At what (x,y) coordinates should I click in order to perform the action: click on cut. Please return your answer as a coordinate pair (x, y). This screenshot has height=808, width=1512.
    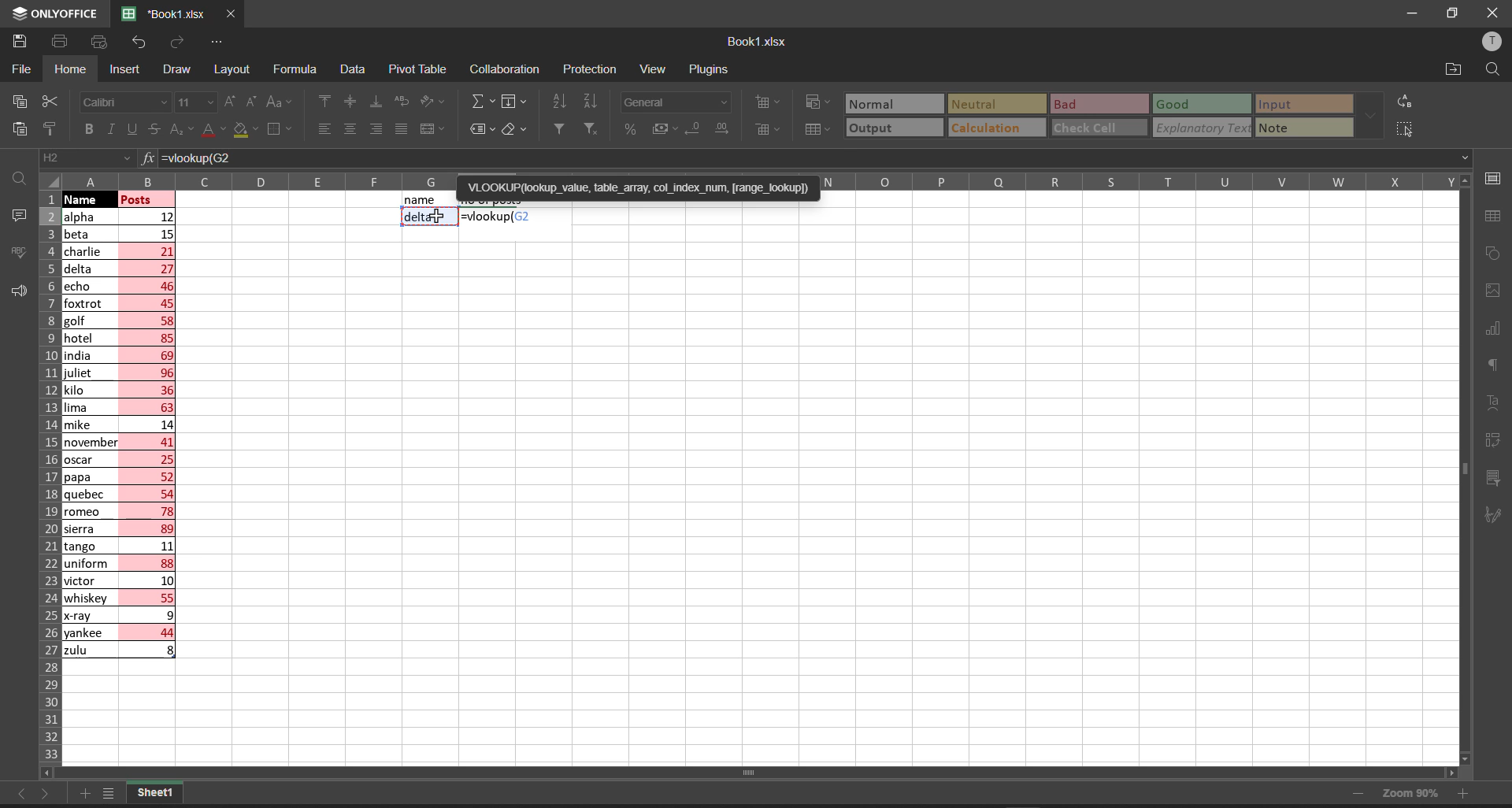
    Looking at the image, I should click on (51, 98).